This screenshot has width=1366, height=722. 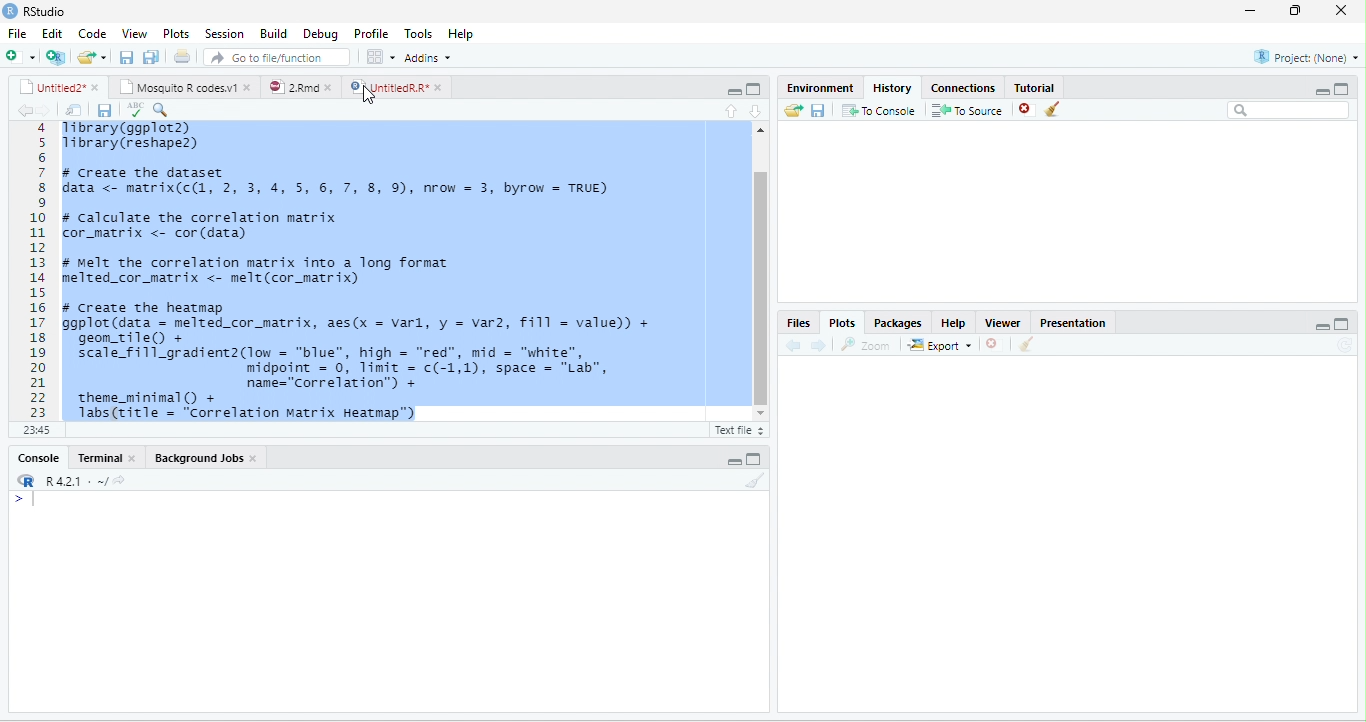 I want to click on help, so click(x=468, y=34).